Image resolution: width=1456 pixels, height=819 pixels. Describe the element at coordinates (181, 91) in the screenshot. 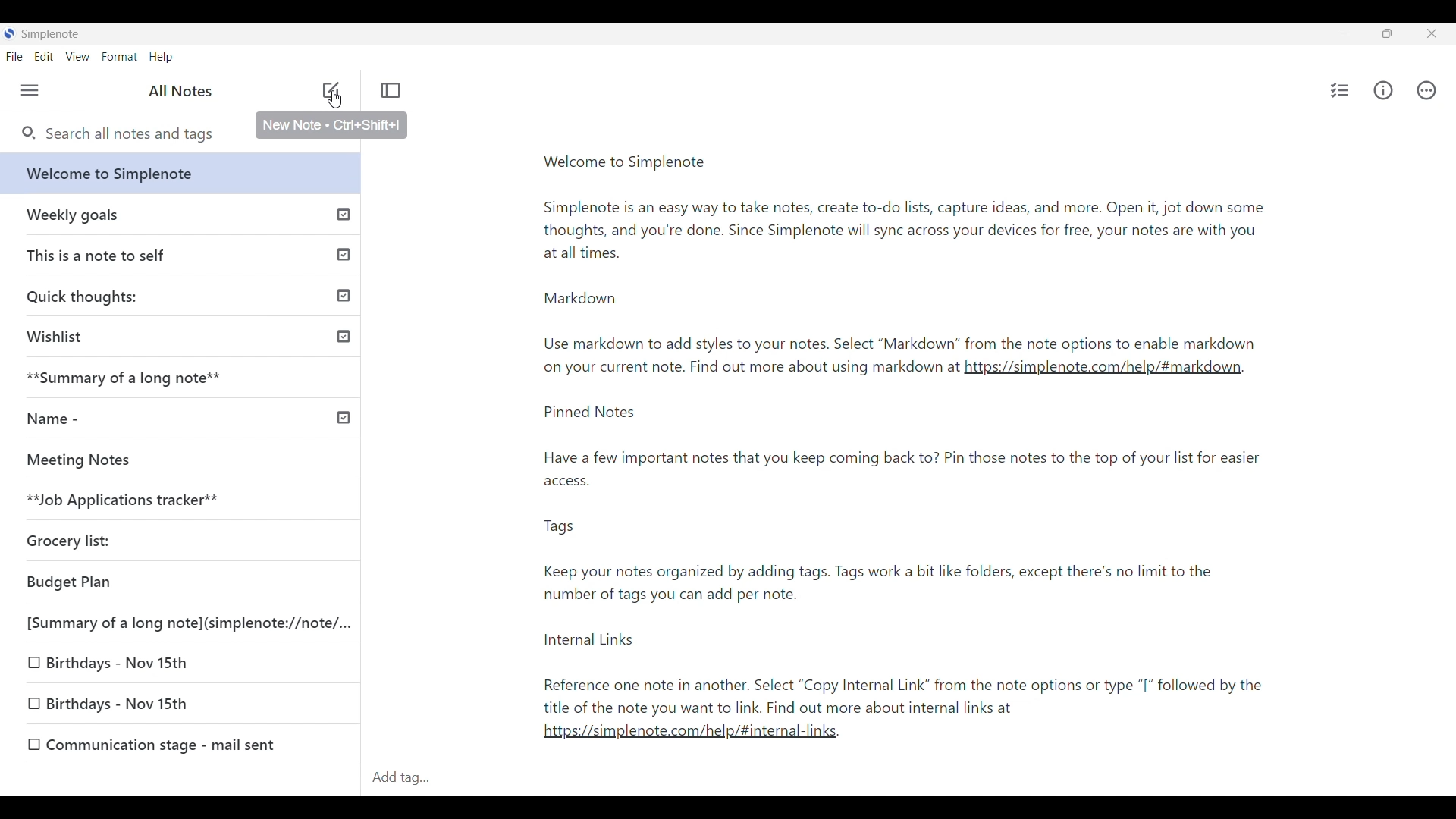

I see `Title of left panel` at that location.